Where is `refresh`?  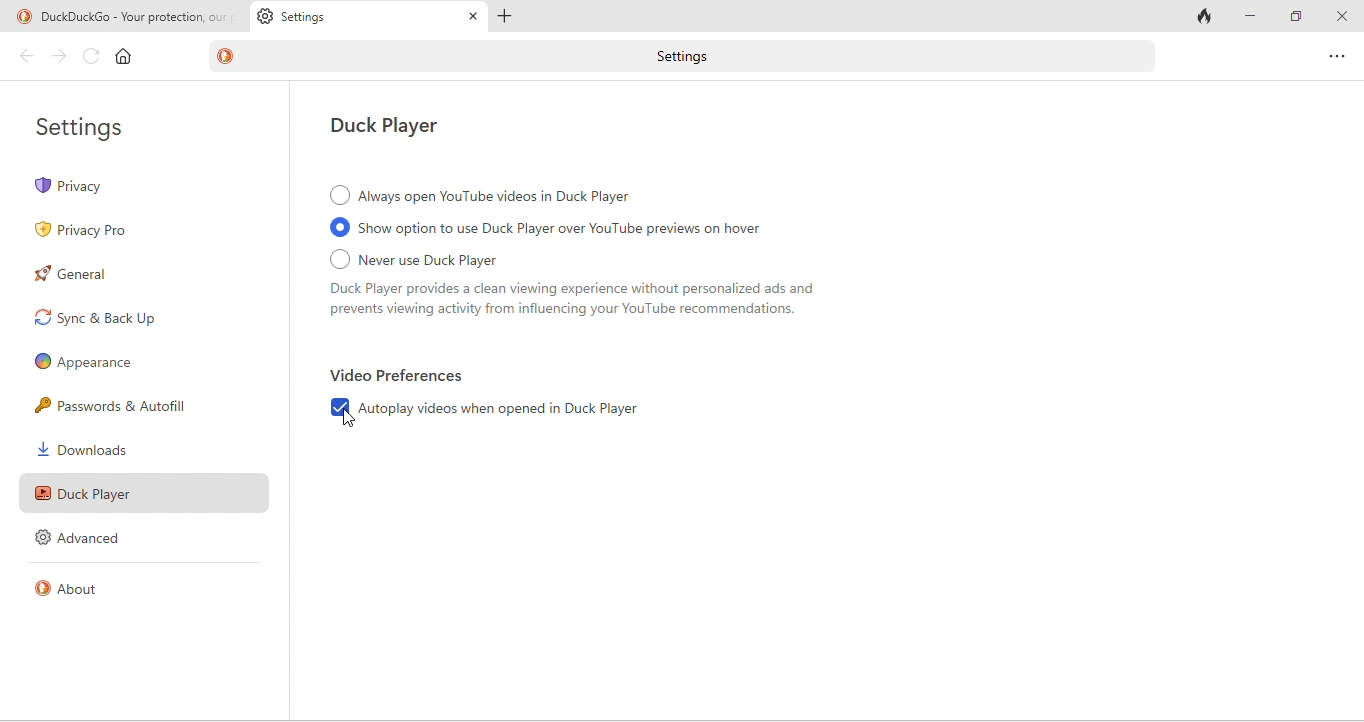 refresh is located at coordinates (92, 56).